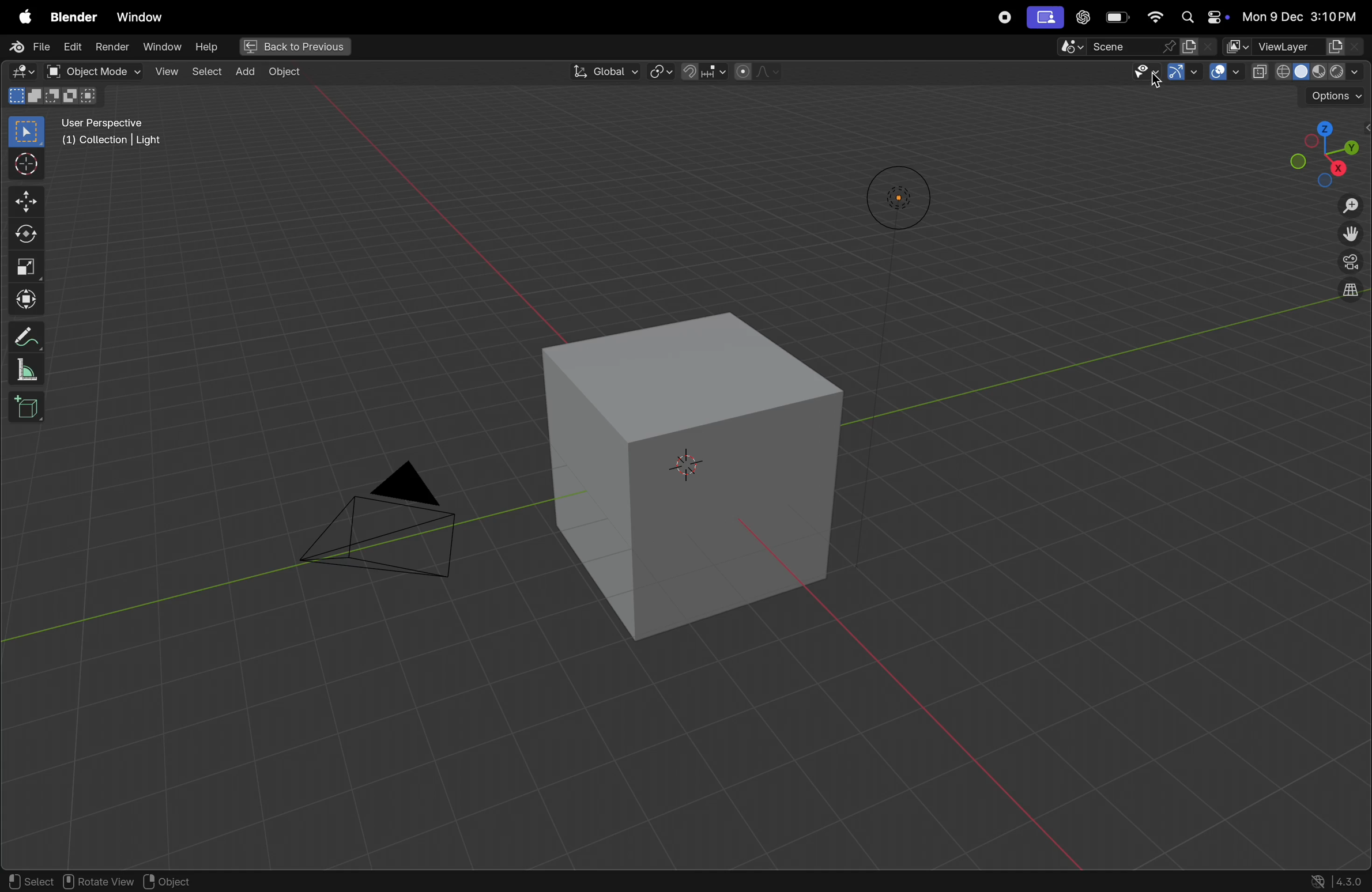 The height and width of the screenshot is (892, 1372). Describe the element at coordinates (25, 233) in the screenshot. I see `rotate` at that location.